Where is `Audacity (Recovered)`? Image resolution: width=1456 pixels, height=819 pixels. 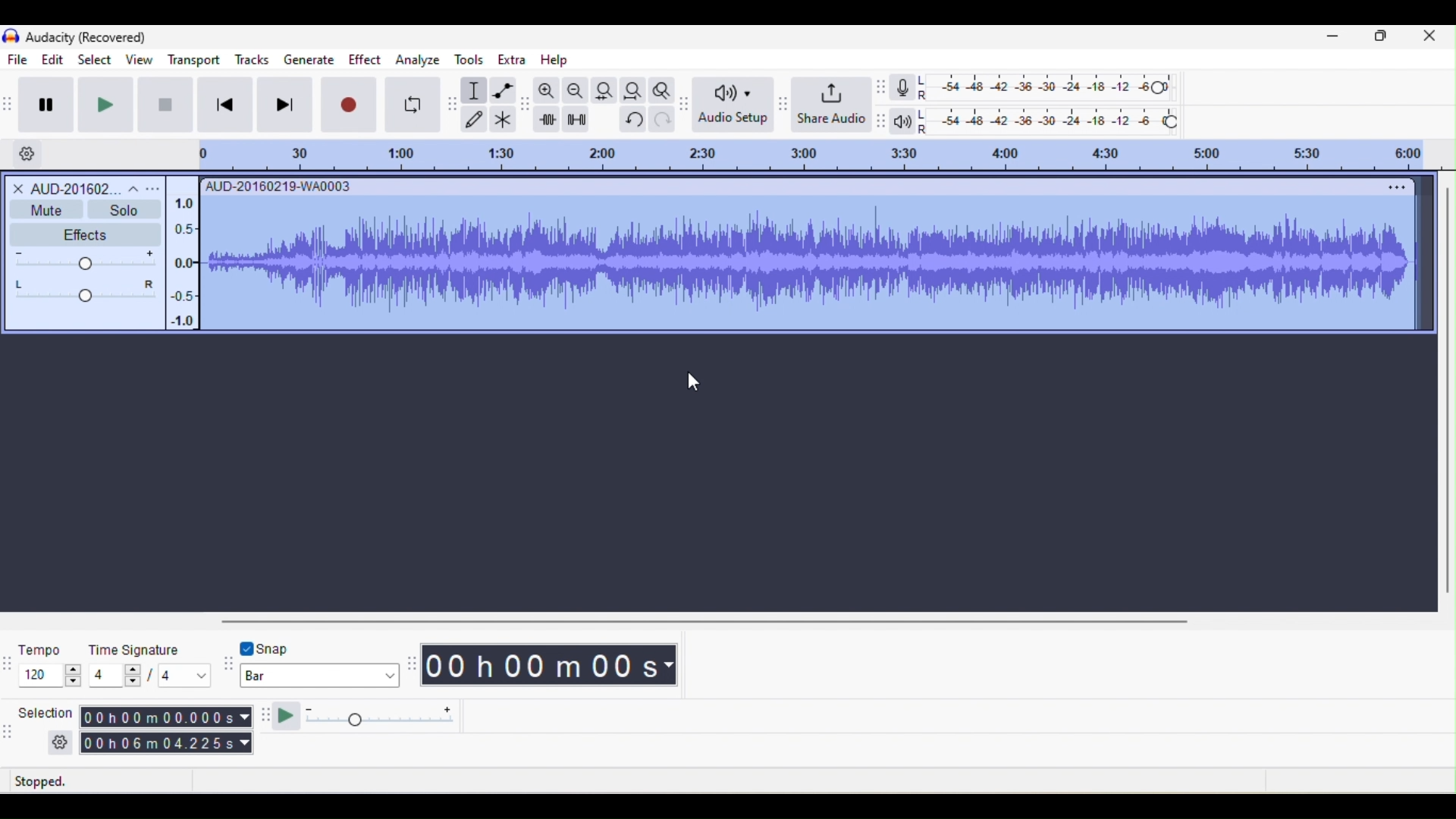
Audacity (Recovered) is located at coordinates (86, 37).